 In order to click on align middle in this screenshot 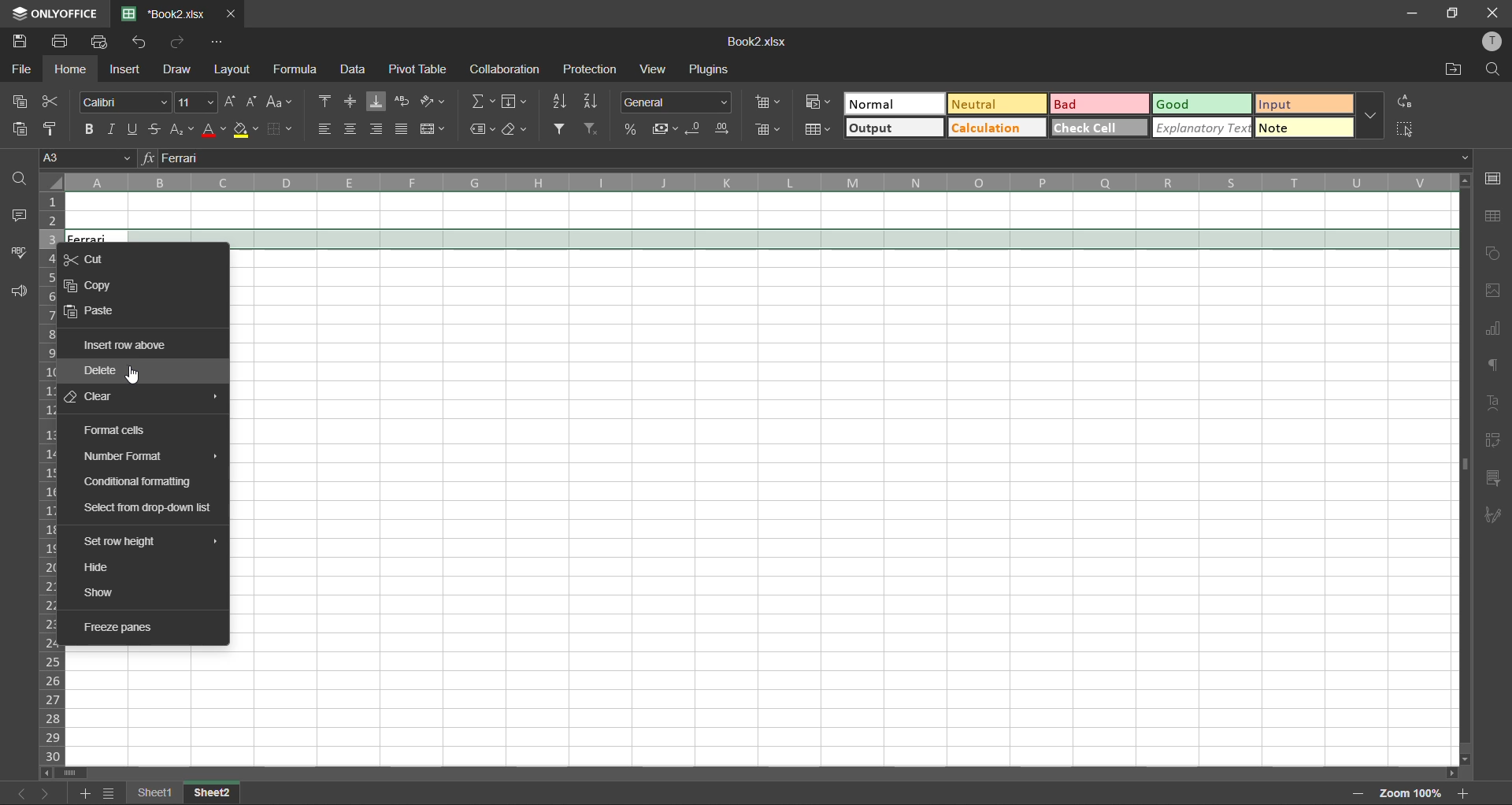, I will do `click(351, 99)`.